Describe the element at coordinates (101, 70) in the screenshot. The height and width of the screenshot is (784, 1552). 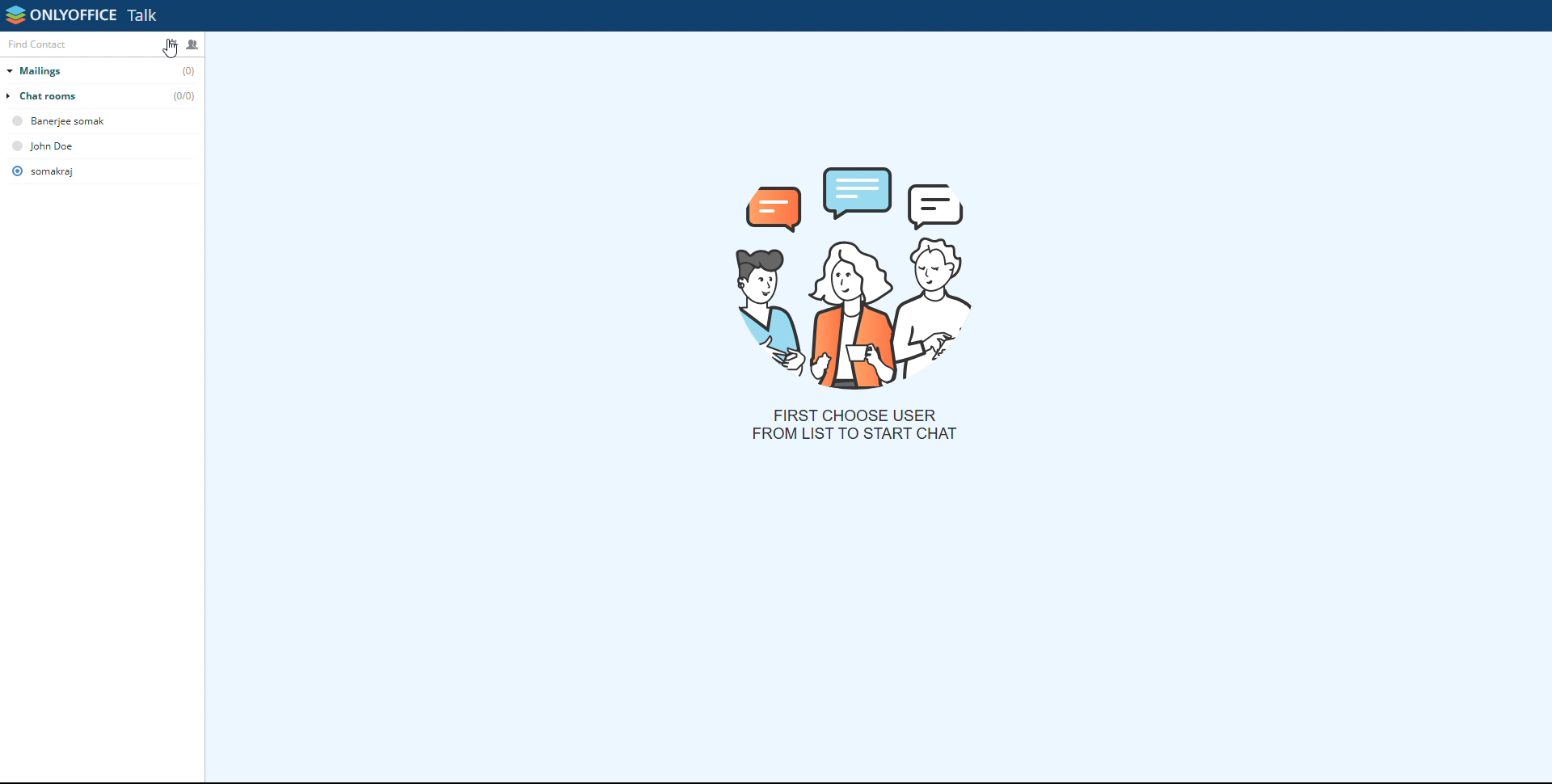
I see `mailings` at that location.